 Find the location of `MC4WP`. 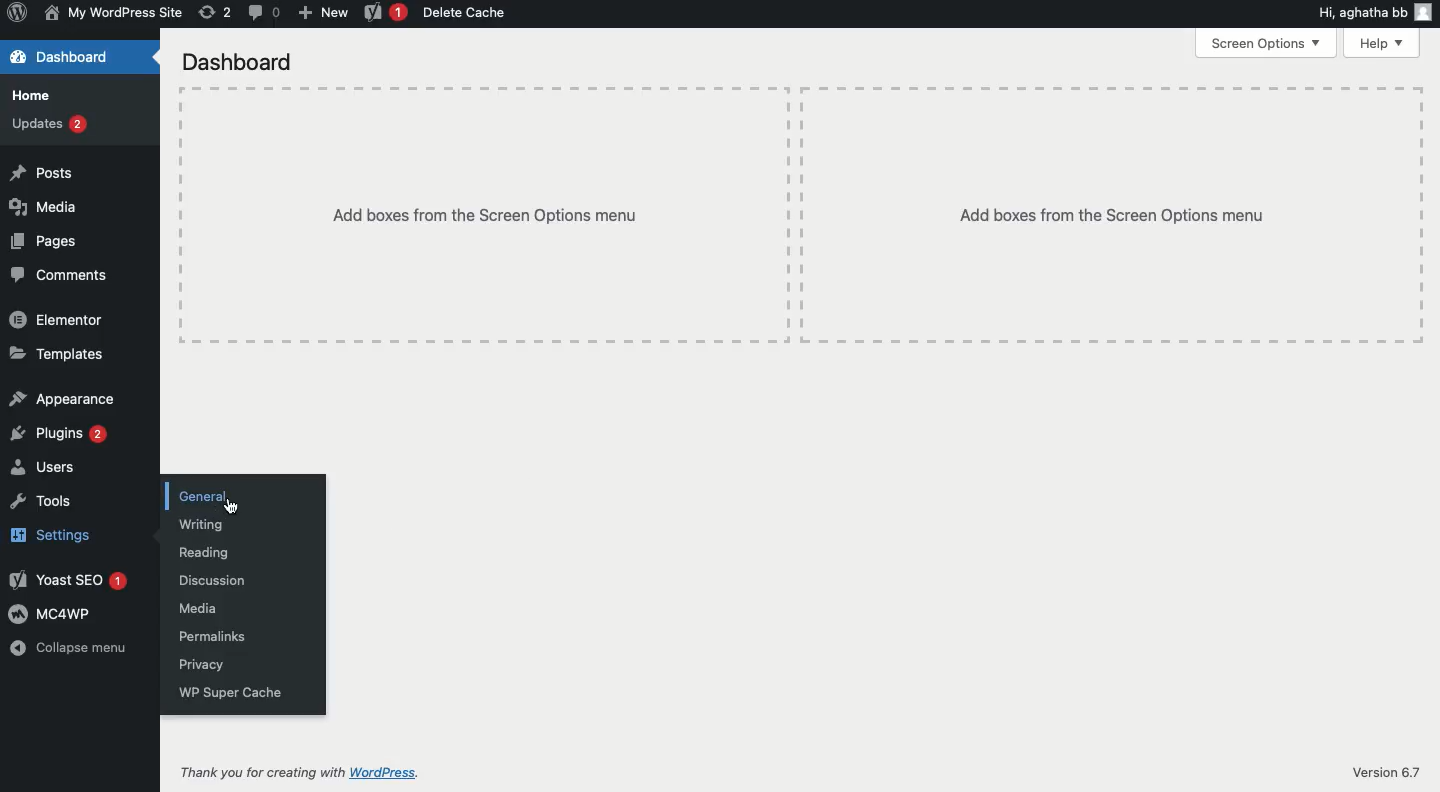

MC4WP is located at coordinates (48, 614).